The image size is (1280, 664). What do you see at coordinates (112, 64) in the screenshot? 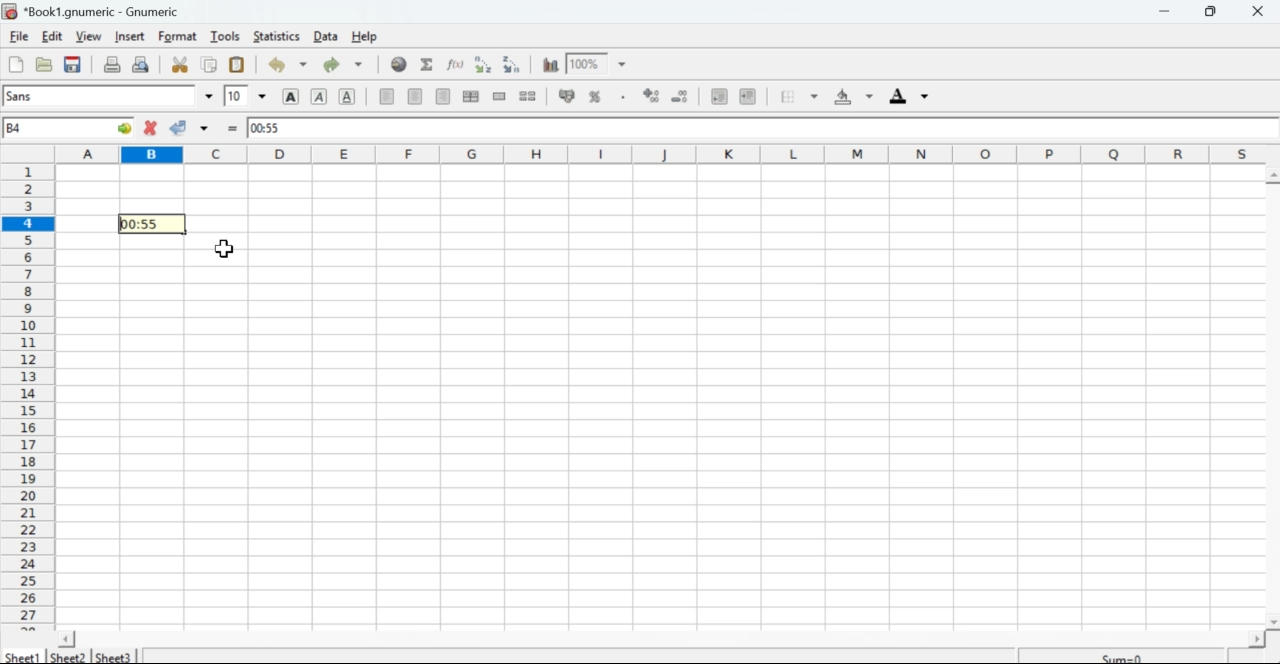
I see `Print file` at bounding box center [112, 64].